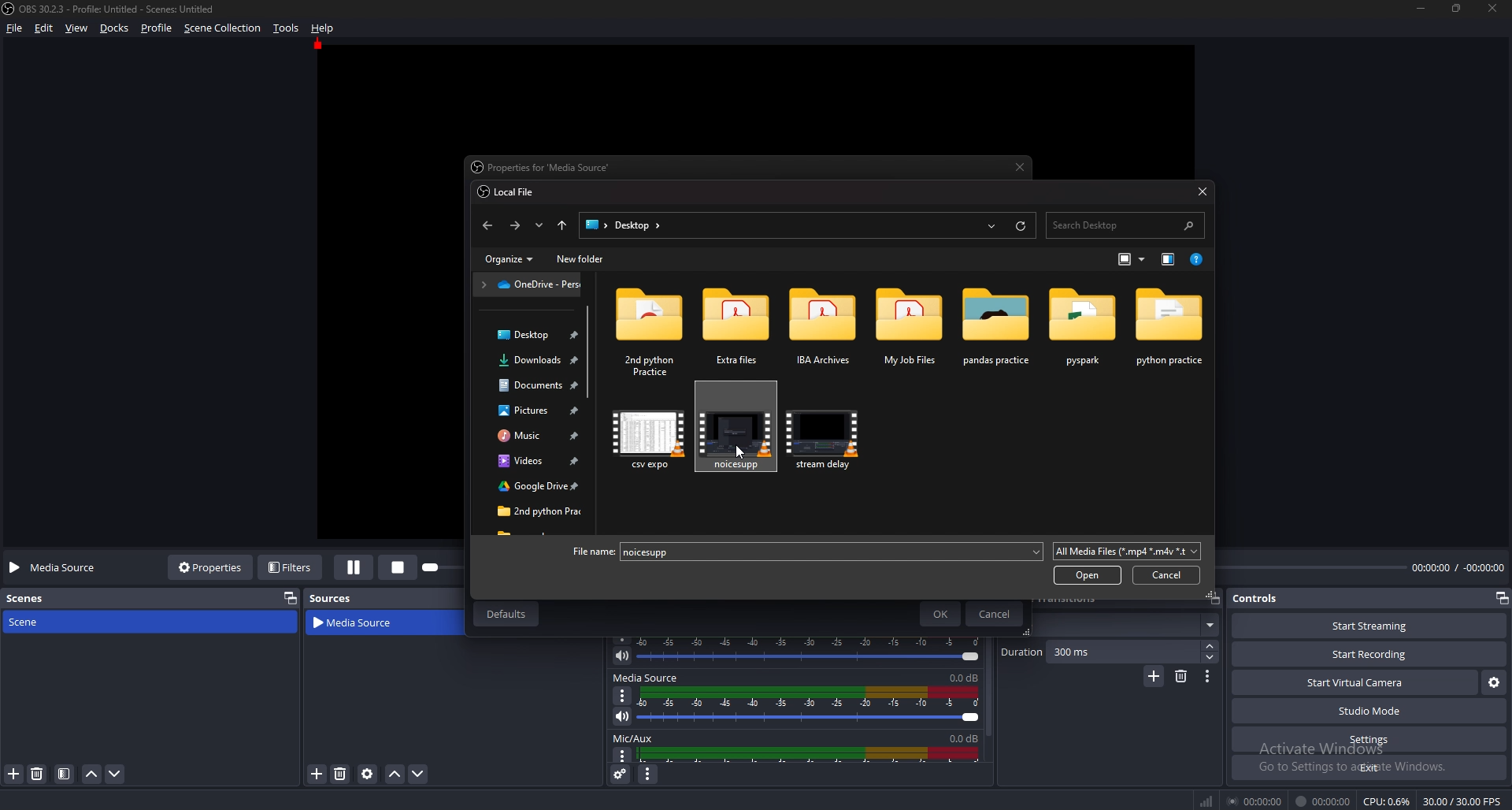  What do you see at coordinates (530, 360) in the screenshot?
I see `Folder` at bounding box center [530, 360].